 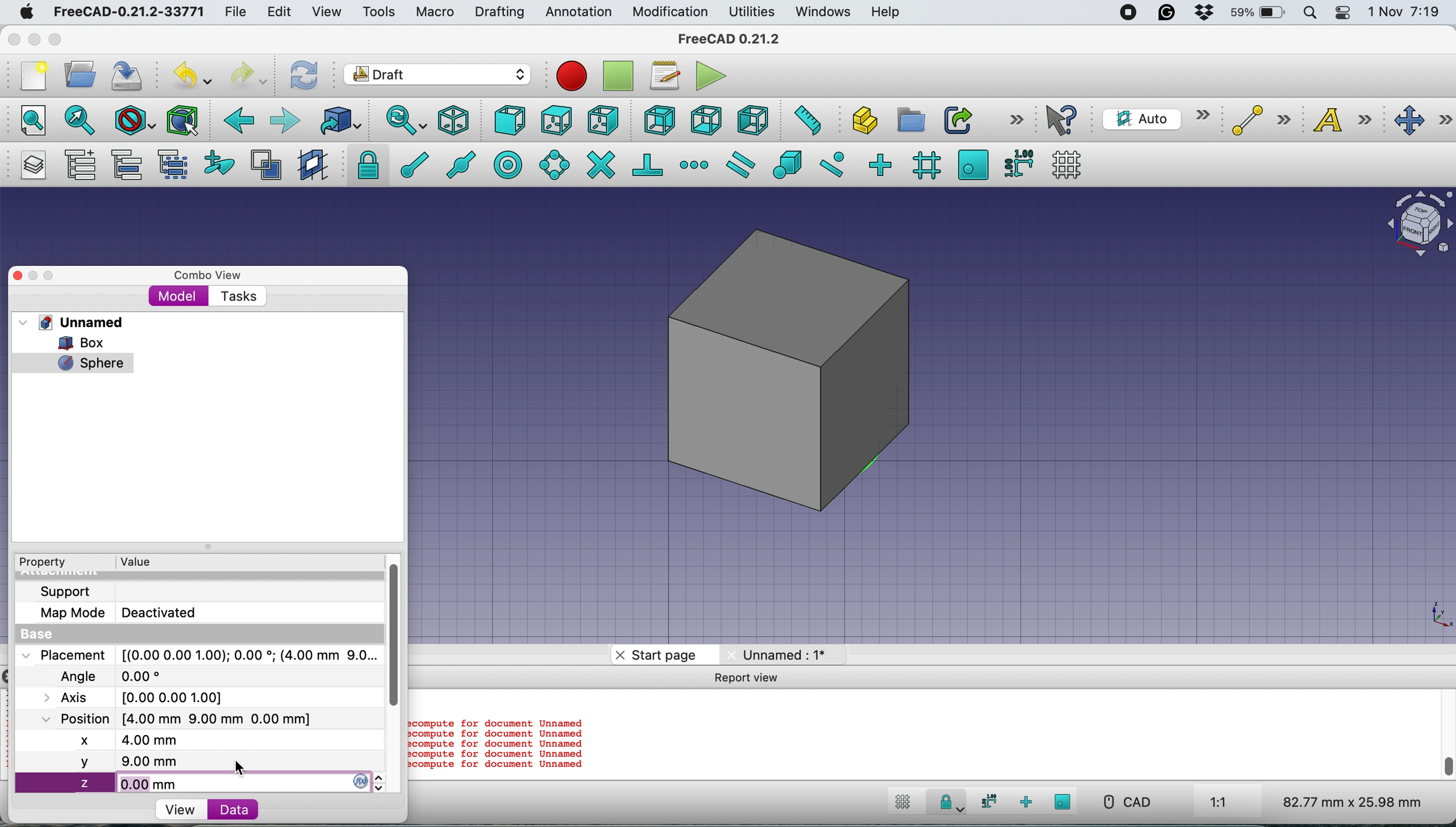 What do you see at coordinates (664, 76) in the screenshot?
I see `macros` at bounding box center [664, 76].